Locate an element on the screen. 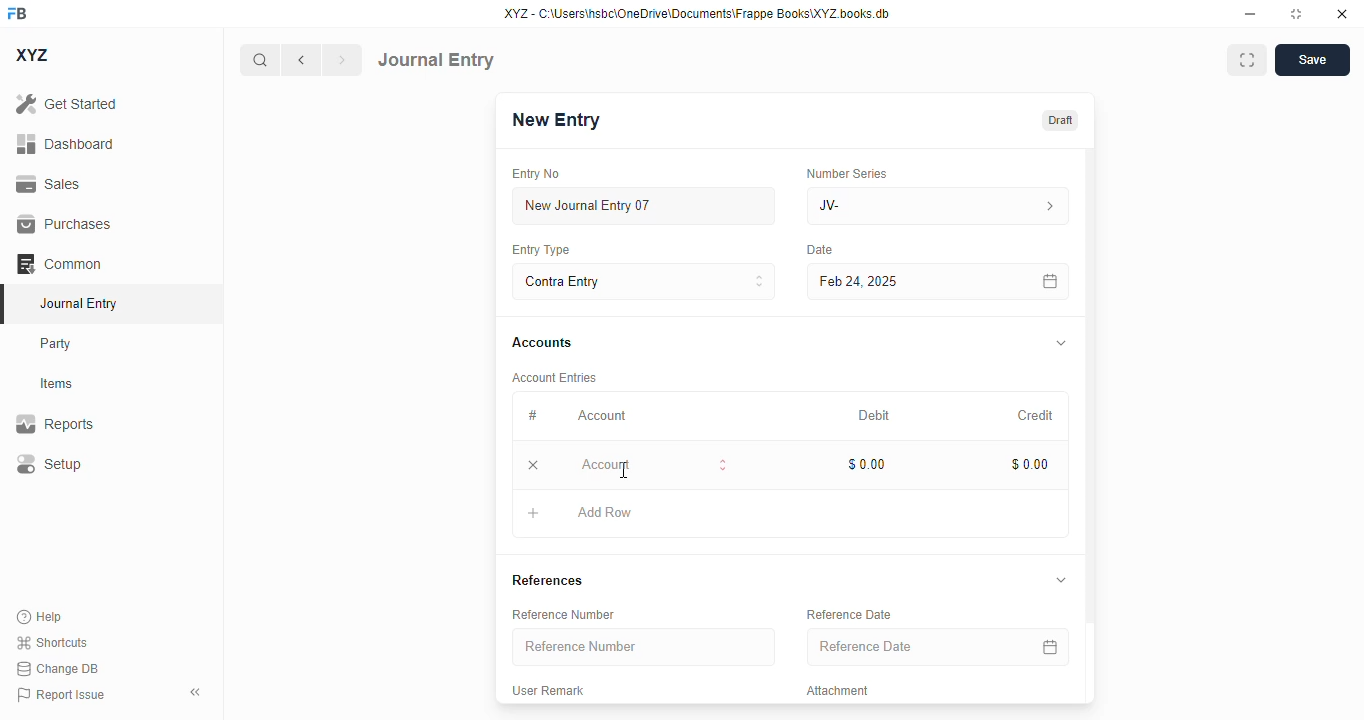  toggle expand/collapse is located at coordinates (1062, 580).